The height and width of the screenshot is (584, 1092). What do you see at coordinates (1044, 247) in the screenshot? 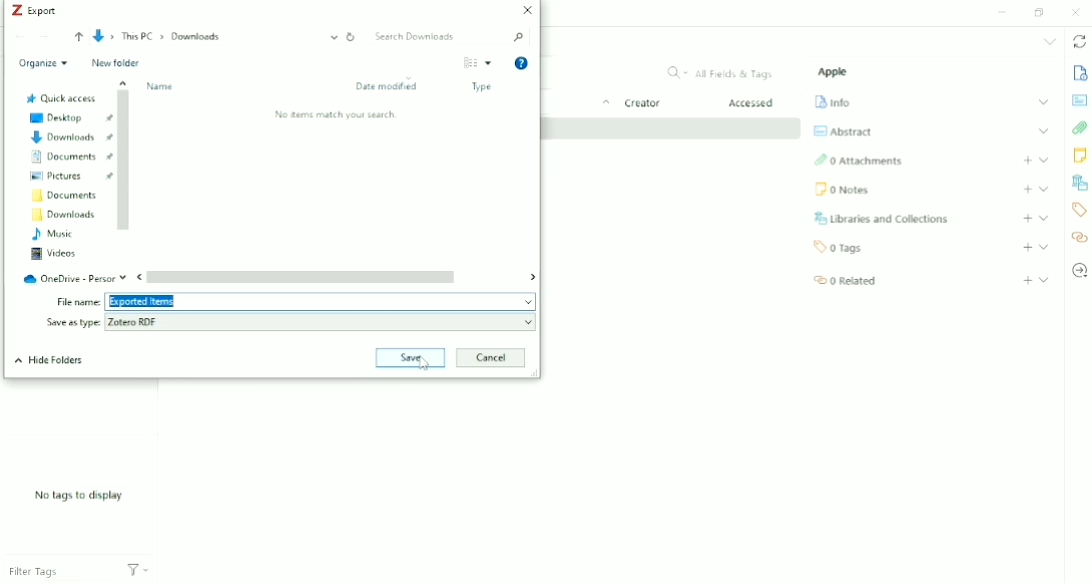
I see `Expand section` at bounding box center [1044, 247].